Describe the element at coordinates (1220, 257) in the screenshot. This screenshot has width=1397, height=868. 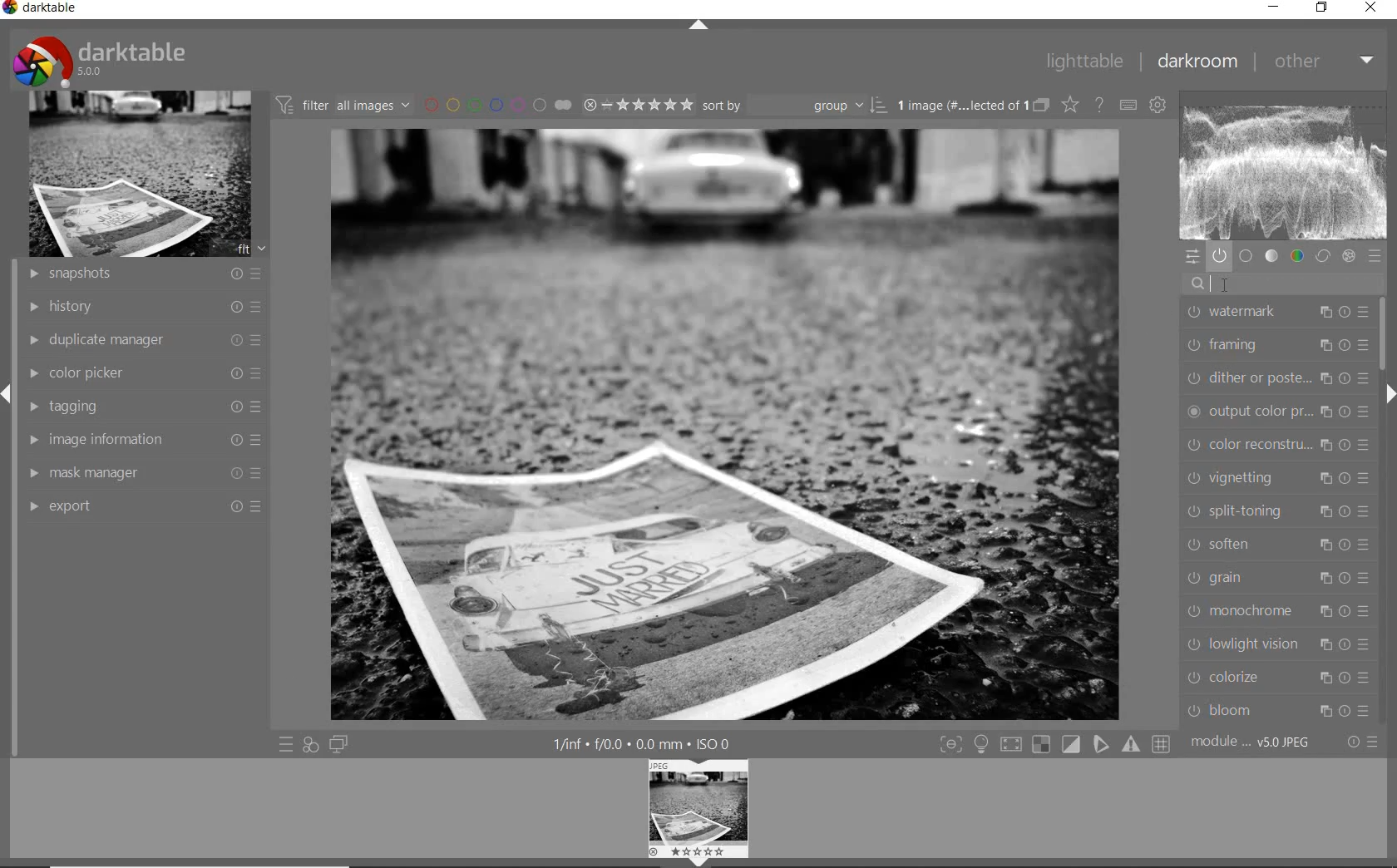
I see `show only active module` at that location.